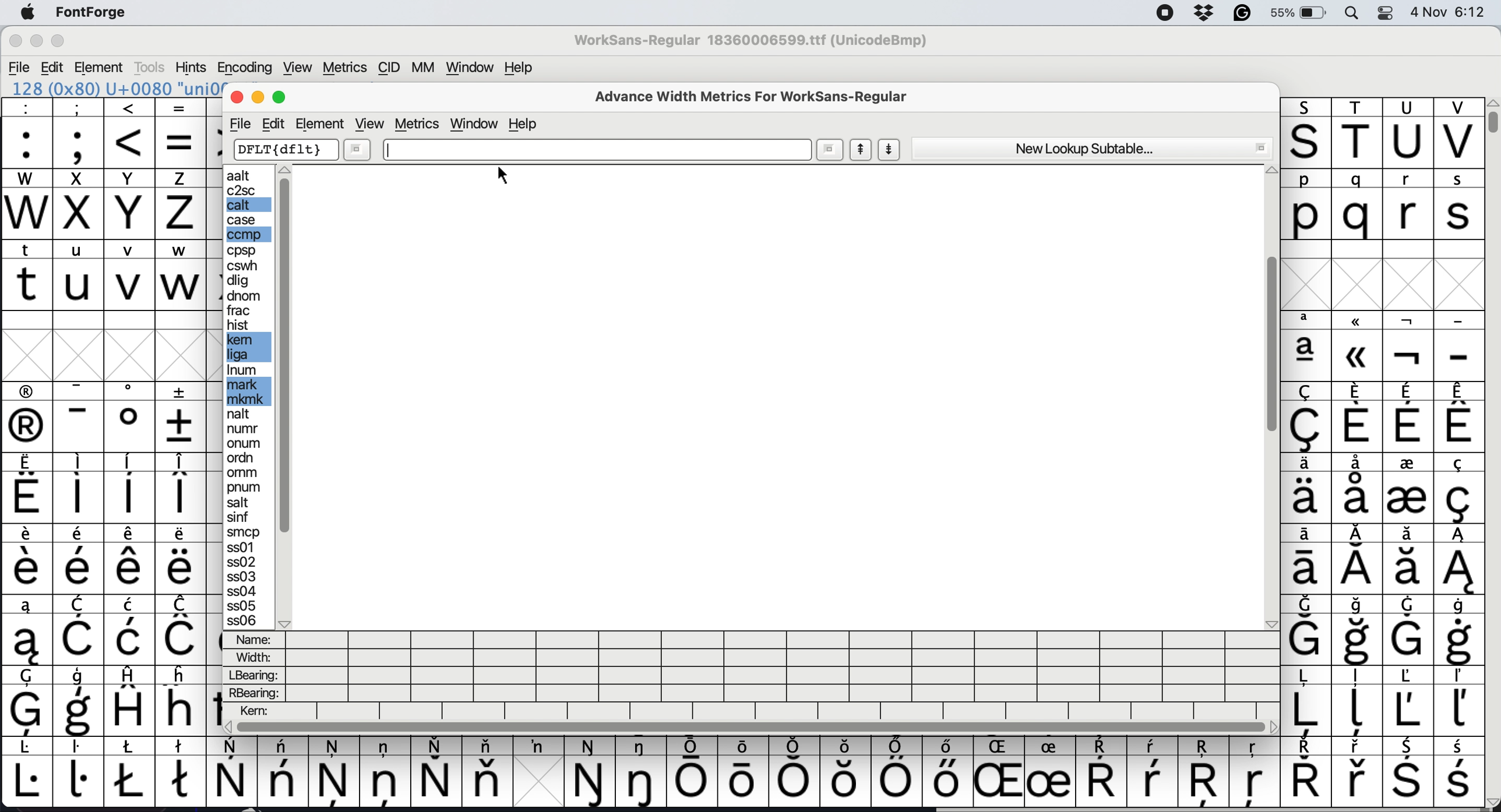 The width and height of the screenshot is (1501, 812). I want to click on more options, so click(831, 151).